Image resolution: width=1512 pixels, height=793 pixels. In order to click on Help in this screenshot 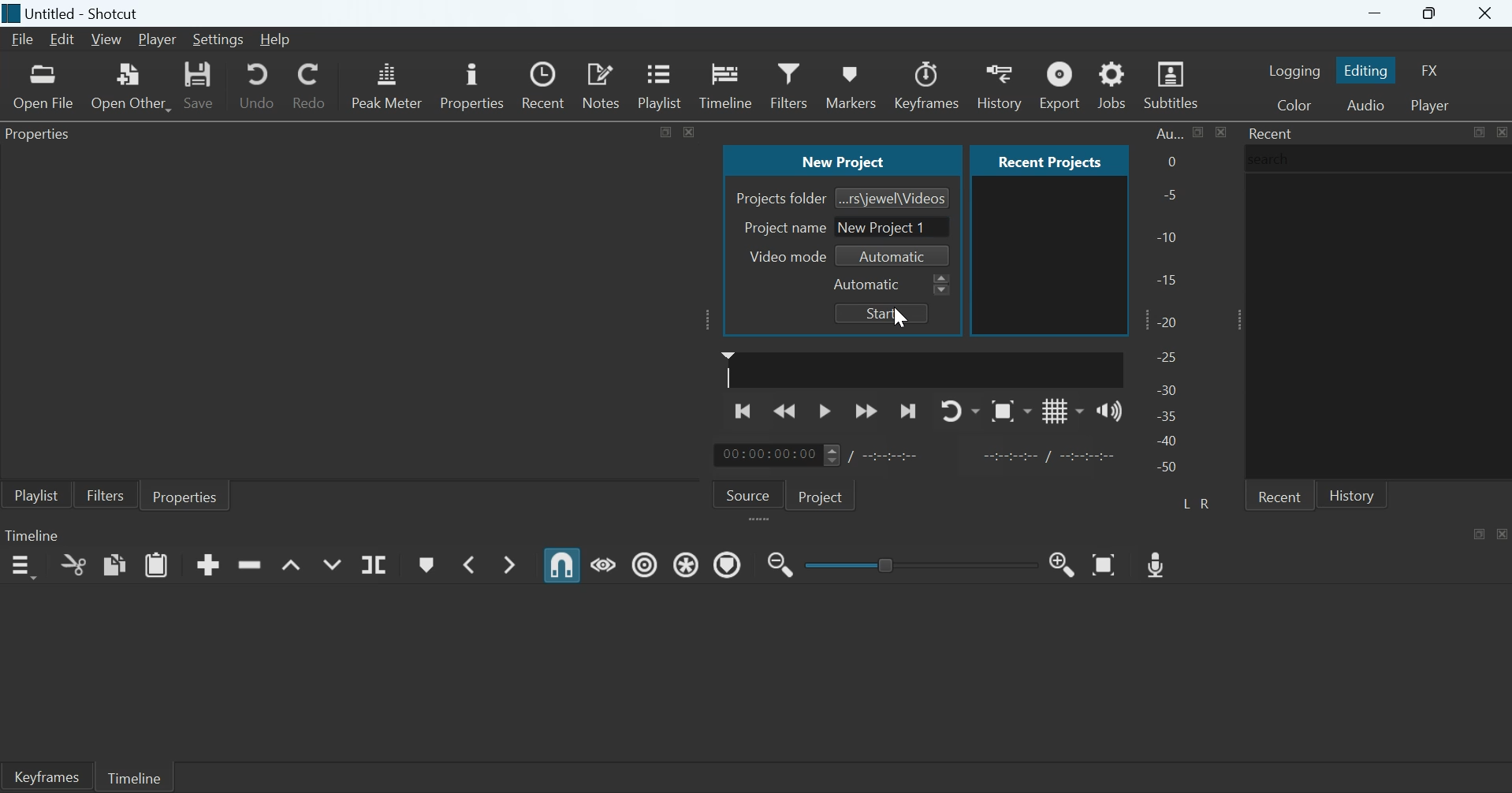, I will do `click(274, 39)`.